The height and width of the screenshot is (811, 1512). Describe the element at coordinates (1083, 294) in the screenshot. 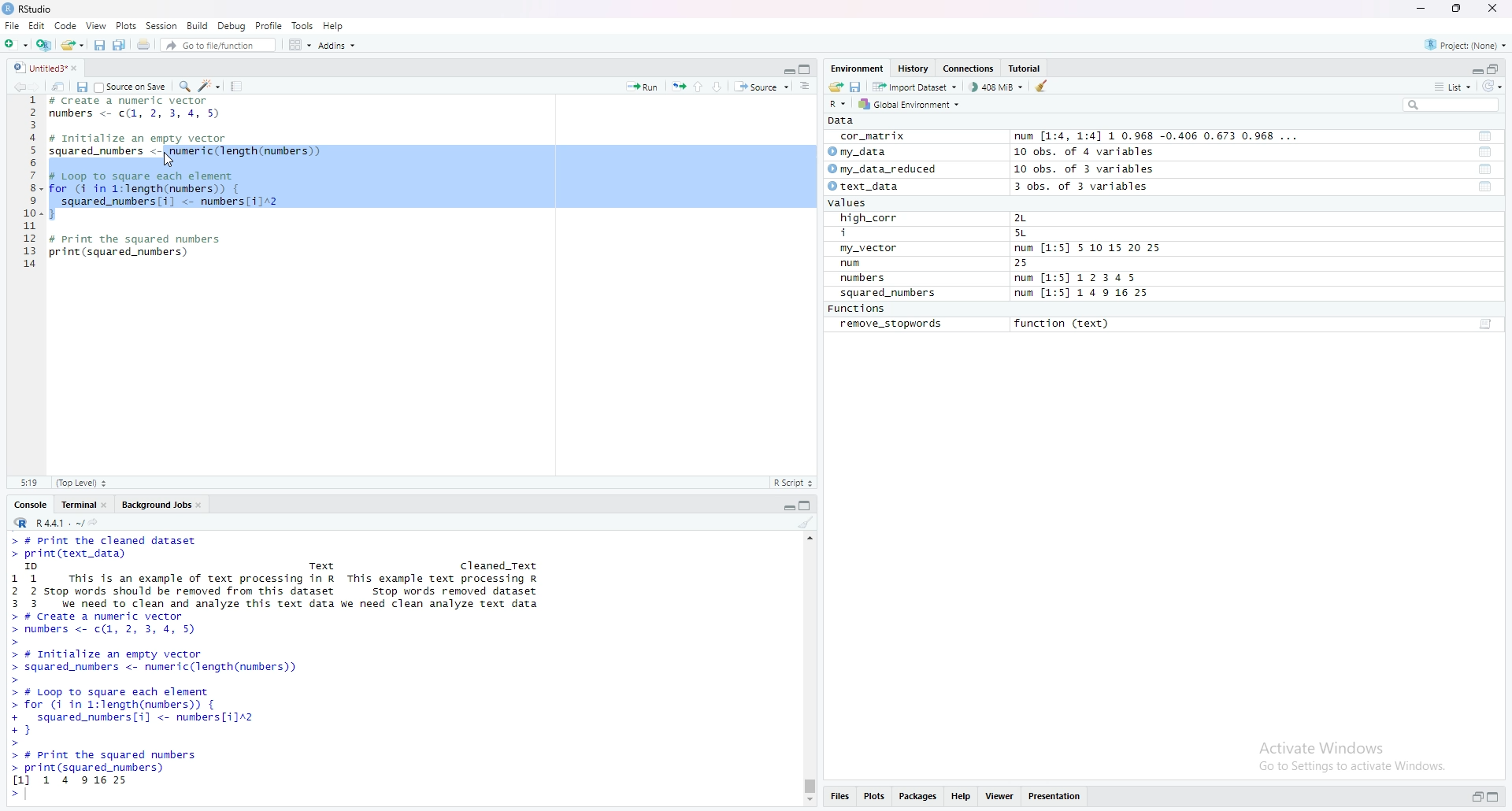

I see `num [1:5] 1 4 9 16 25` at that location.